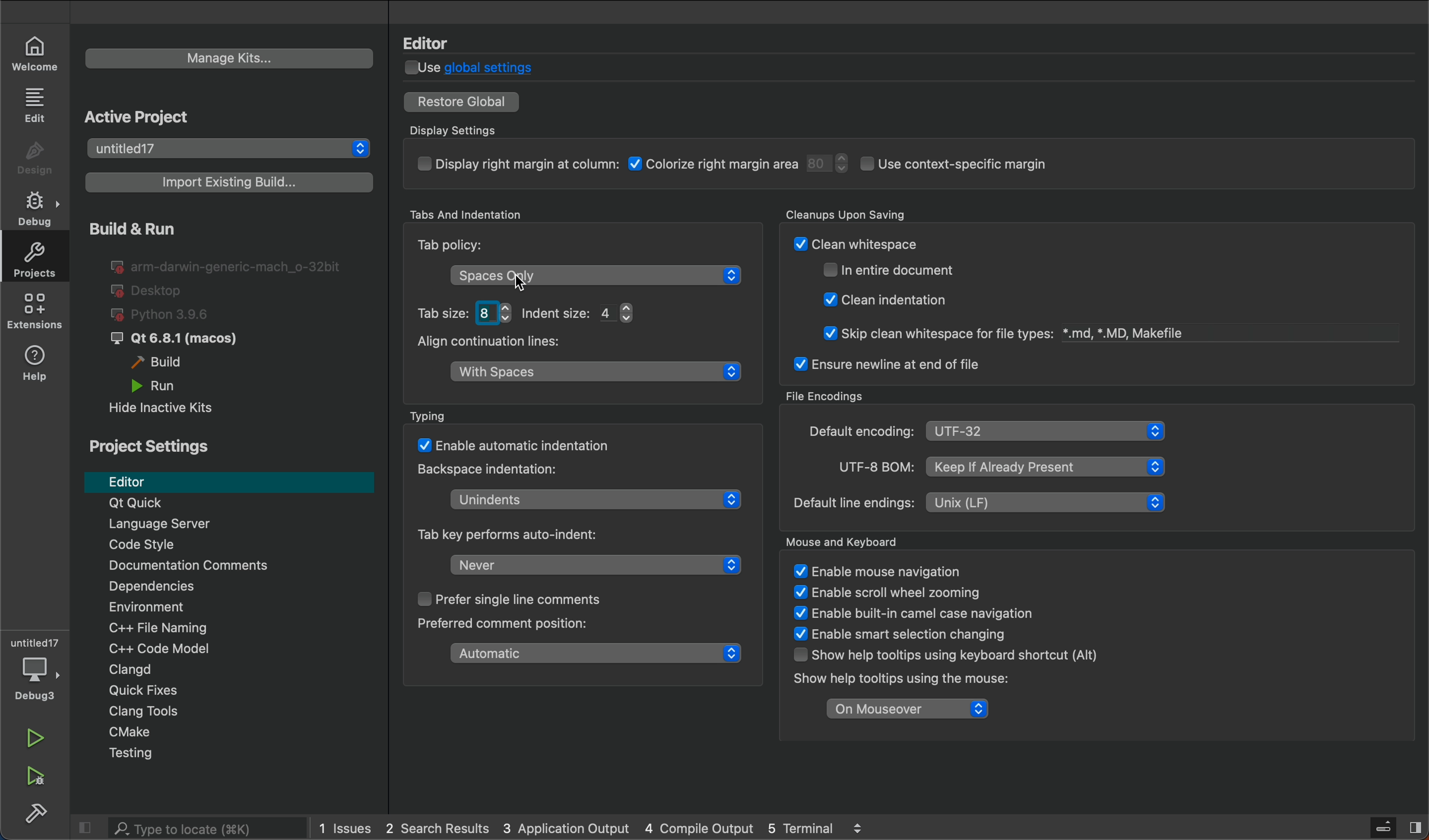 Image resolution: width=1429 pixels, height=840 pixels. What do you see at coordinates (481, 67) in the screenshot?
I see `global settings` at bounding box center [481, 67].